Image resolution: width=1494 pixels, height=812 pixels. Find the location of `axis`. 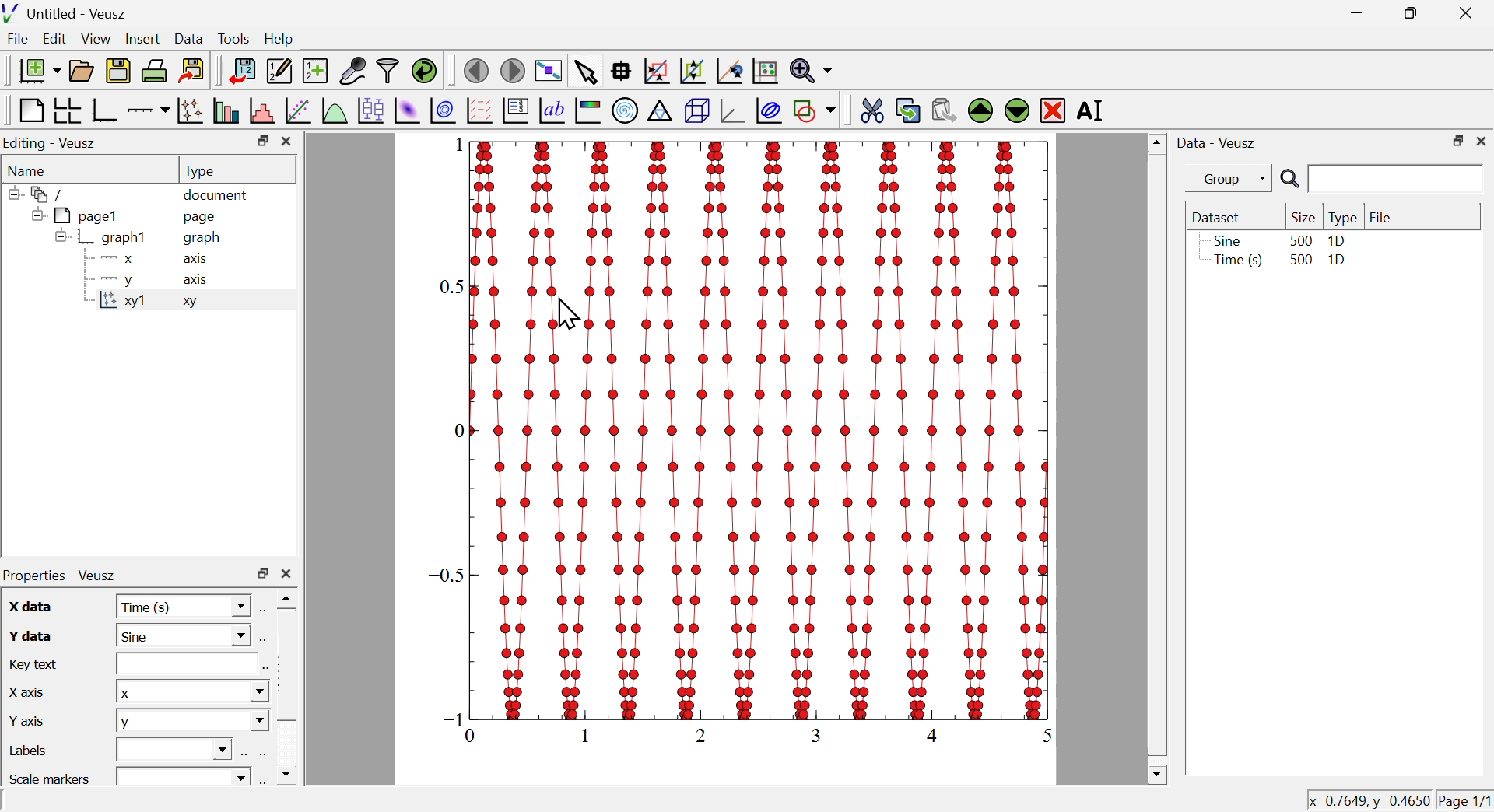

axis is located at coordinates (197, 260).